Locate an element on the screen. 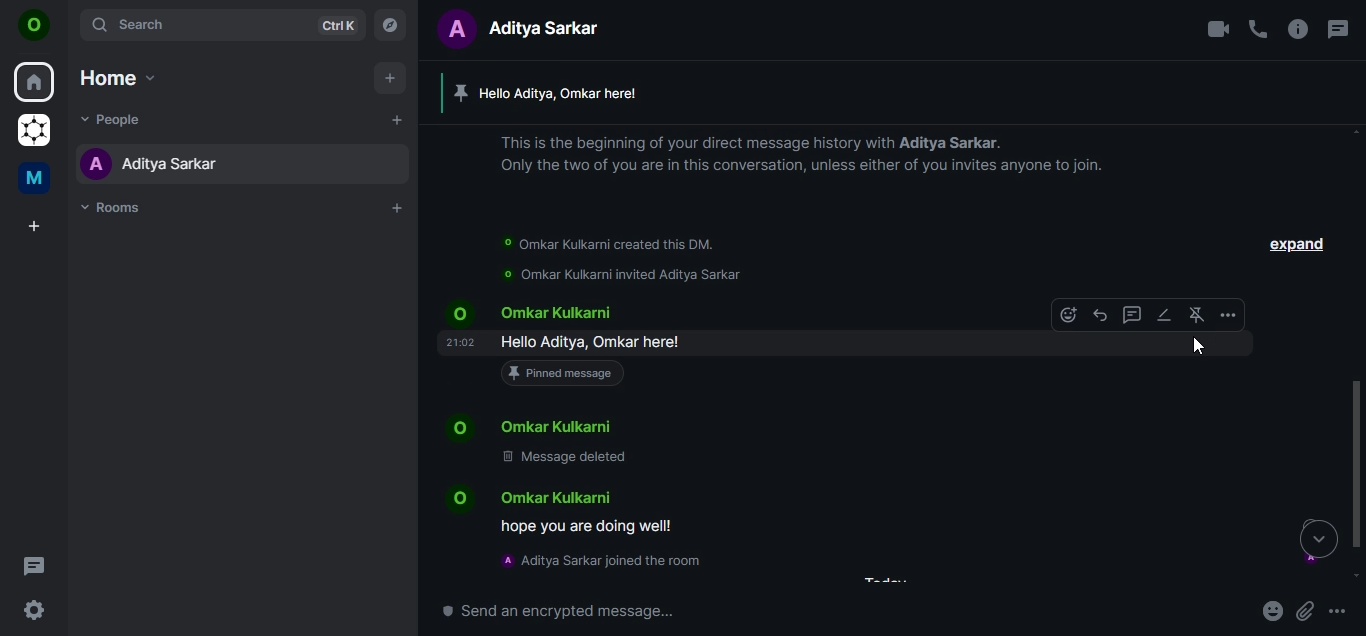  attachments is located at coordinates (1306, 611).